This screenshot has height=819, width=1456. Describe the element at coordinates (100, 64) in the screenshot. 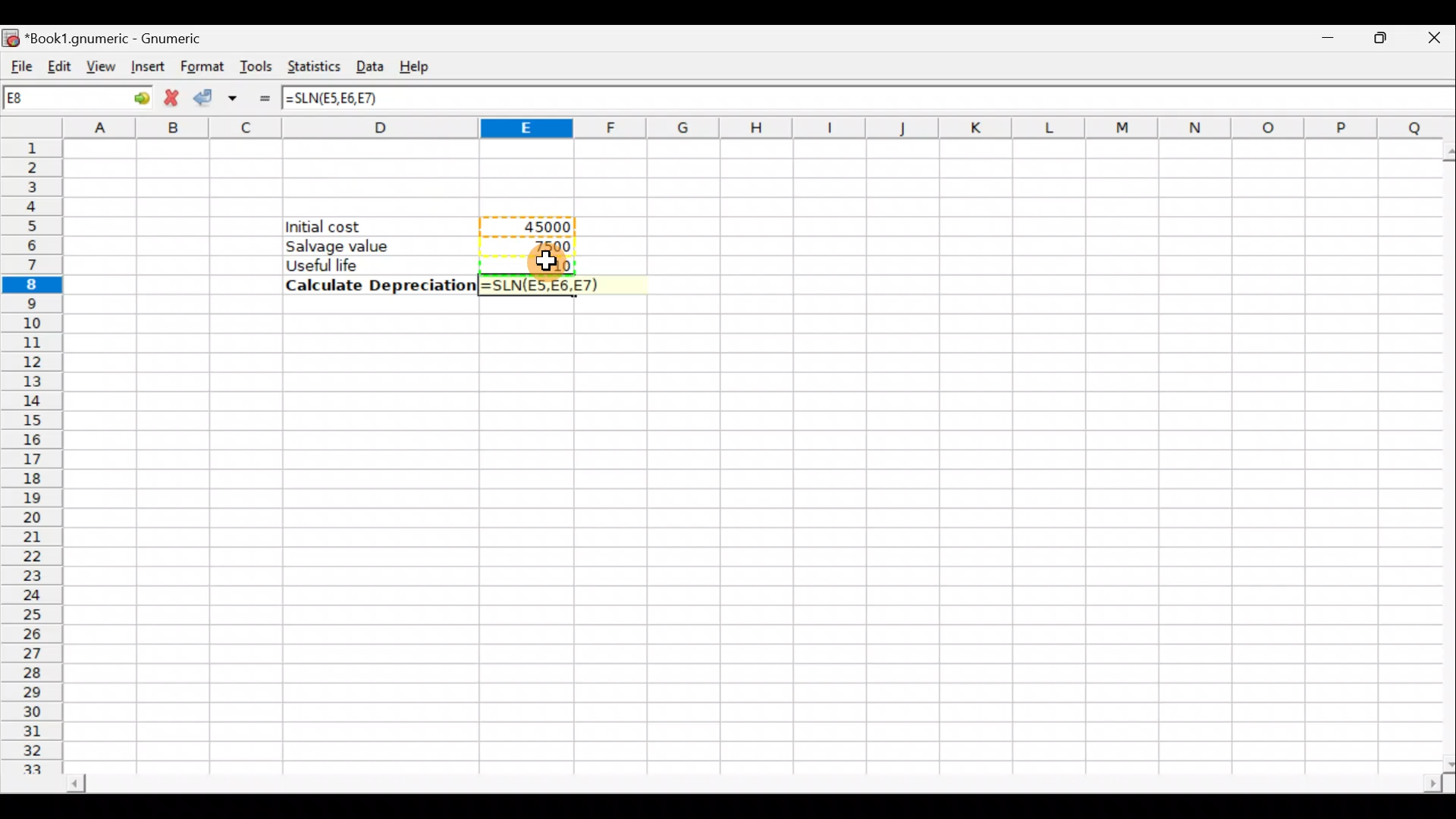

I see `View` at that location.